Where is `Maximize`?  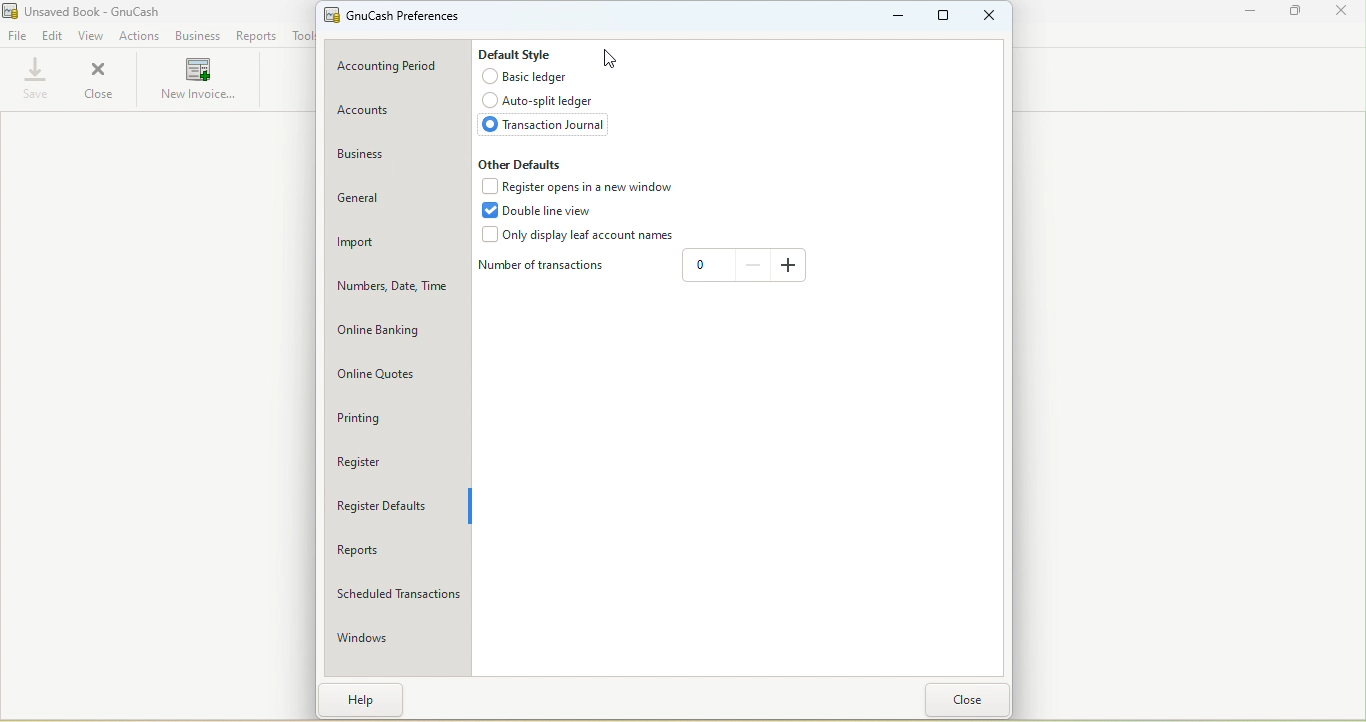 Maximize is located at coordinates (1295, 13).